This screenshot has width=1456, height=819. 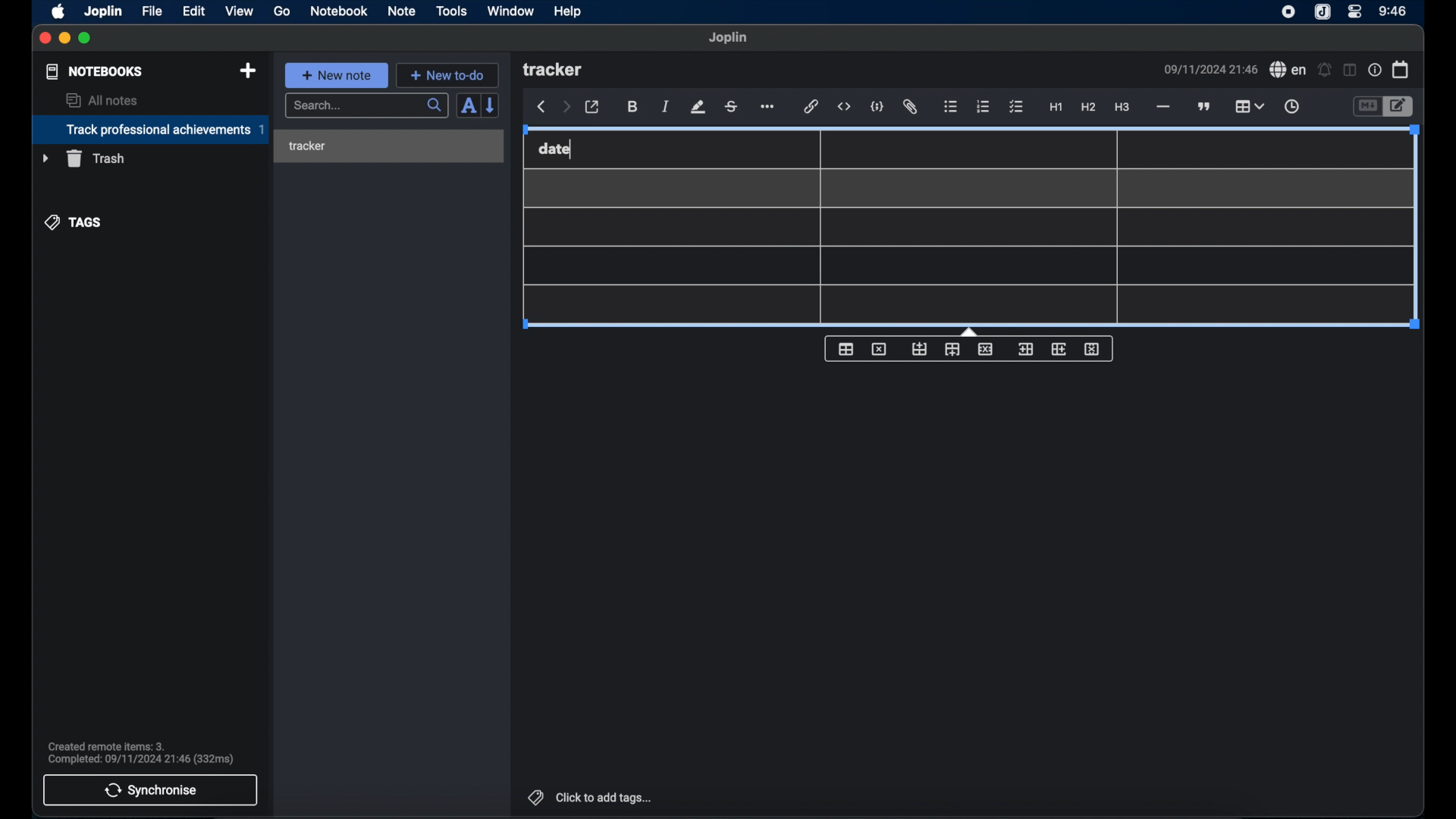 I want to click on hyperlink, so click(x=811, y=107).